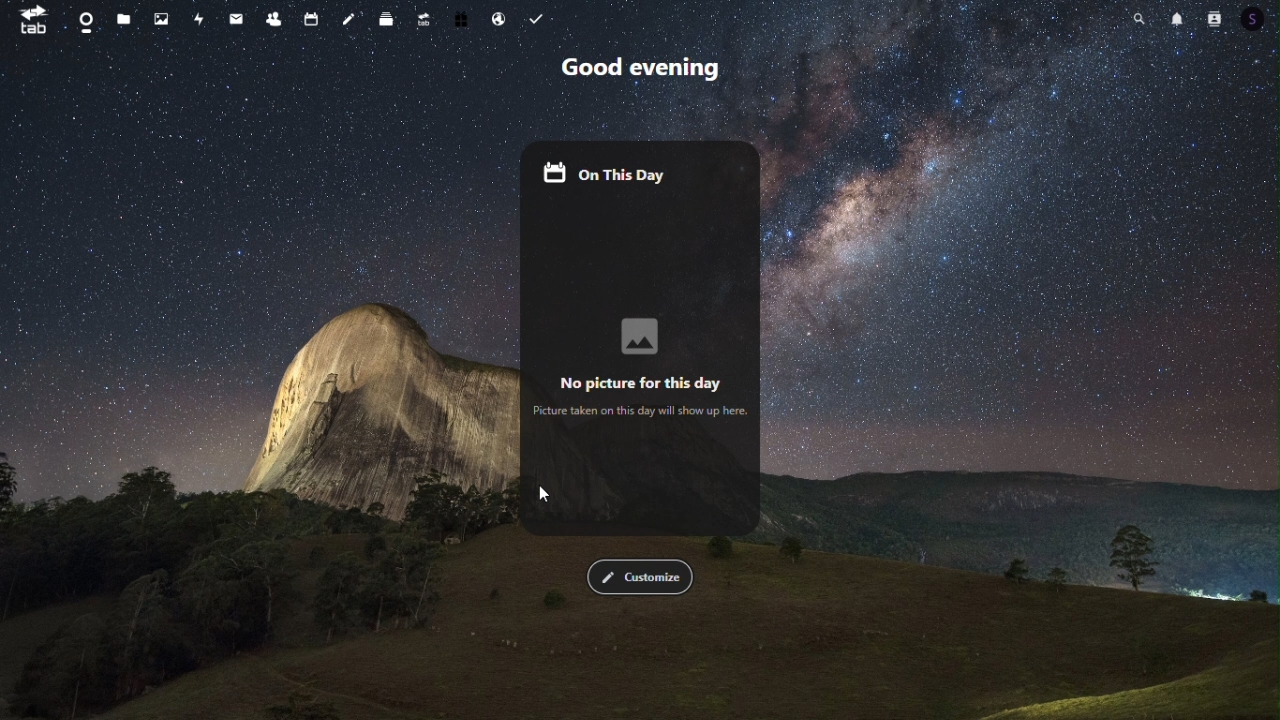  Describe the element at coordinates (34, 20) in the screenshot. I see `tab` at that location.